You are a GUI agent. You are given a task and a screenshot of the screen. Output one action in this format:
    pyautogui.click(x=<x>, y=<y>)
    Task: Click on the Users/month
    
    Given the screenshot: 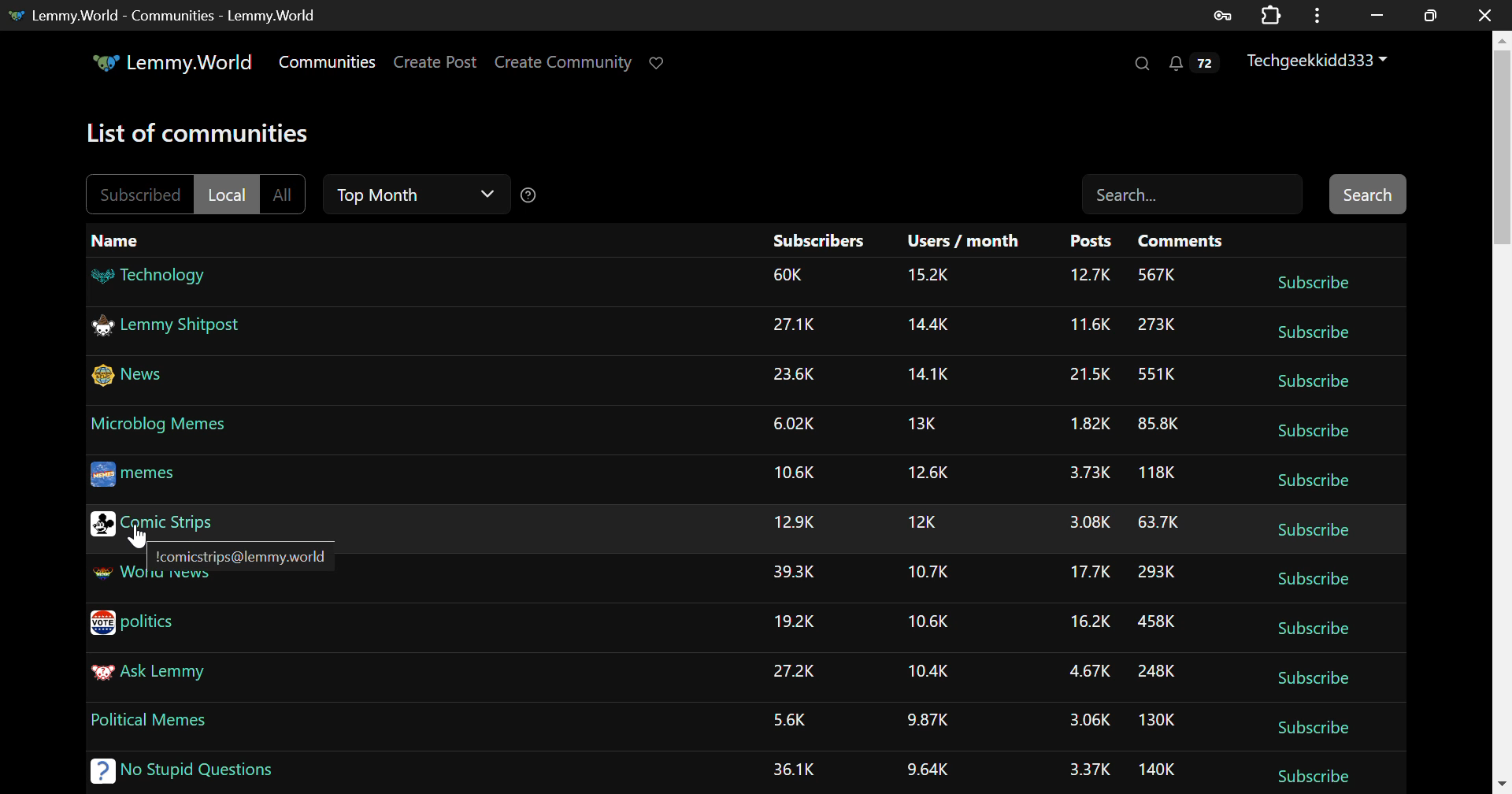 What is the action you would take?
    pyautogui.click(x=965, y=242)
    